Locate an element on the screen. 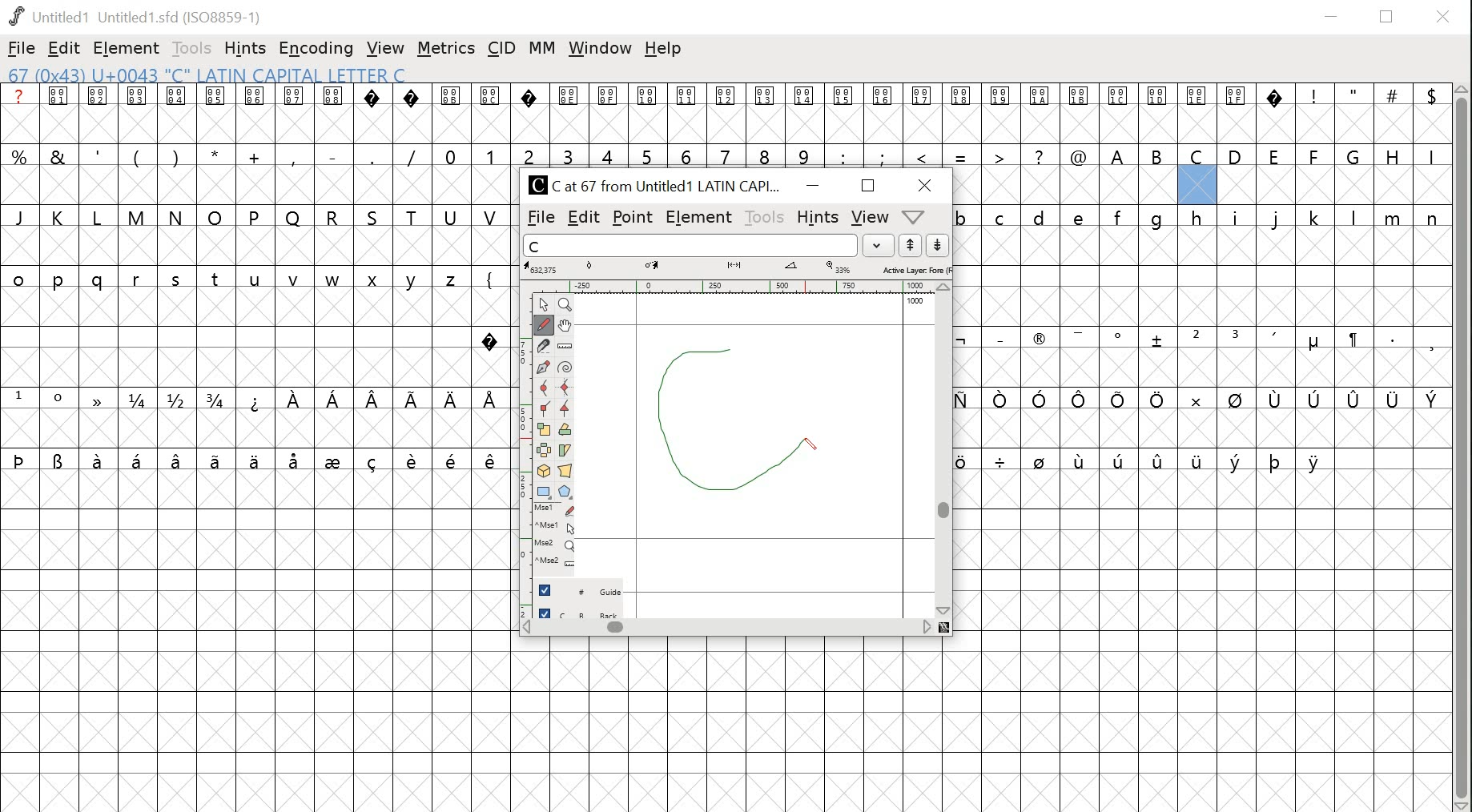  measurements is located at coordinates (740, 267).